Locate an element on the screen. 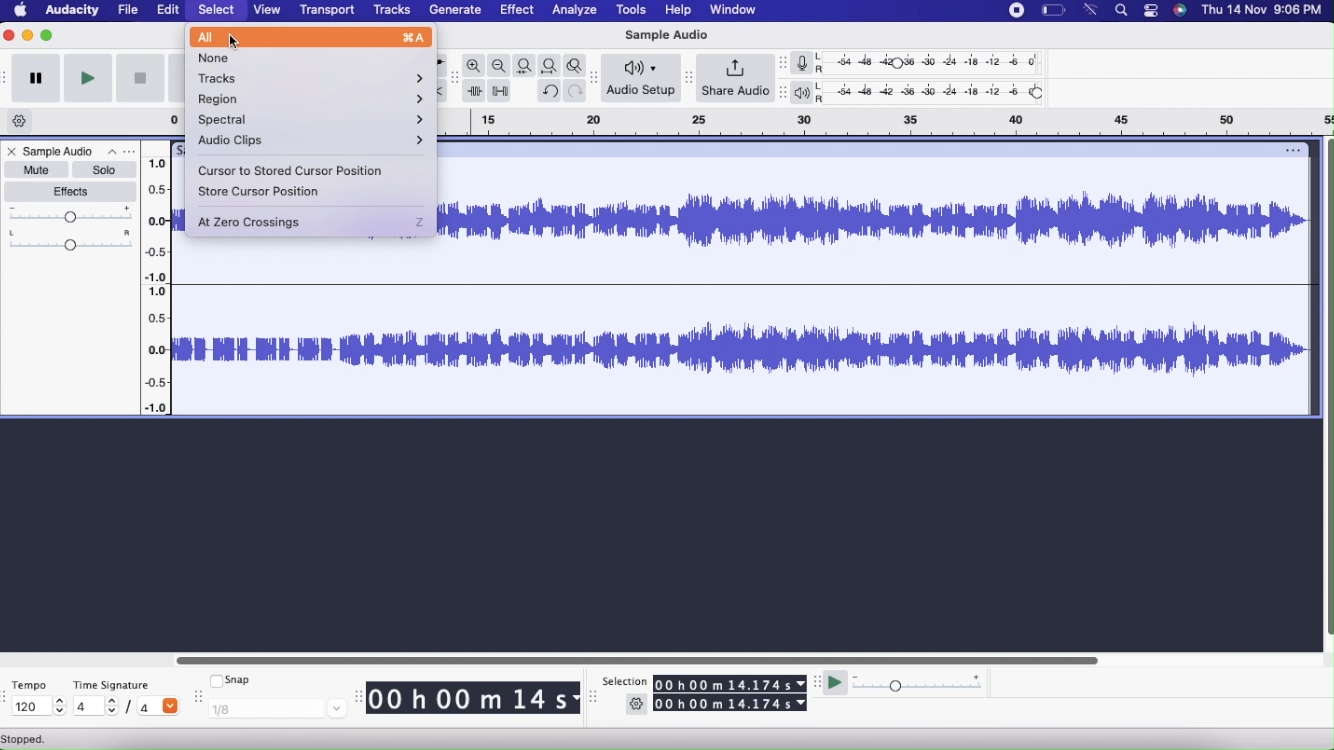  Generate is located at coordinates (456, 11).